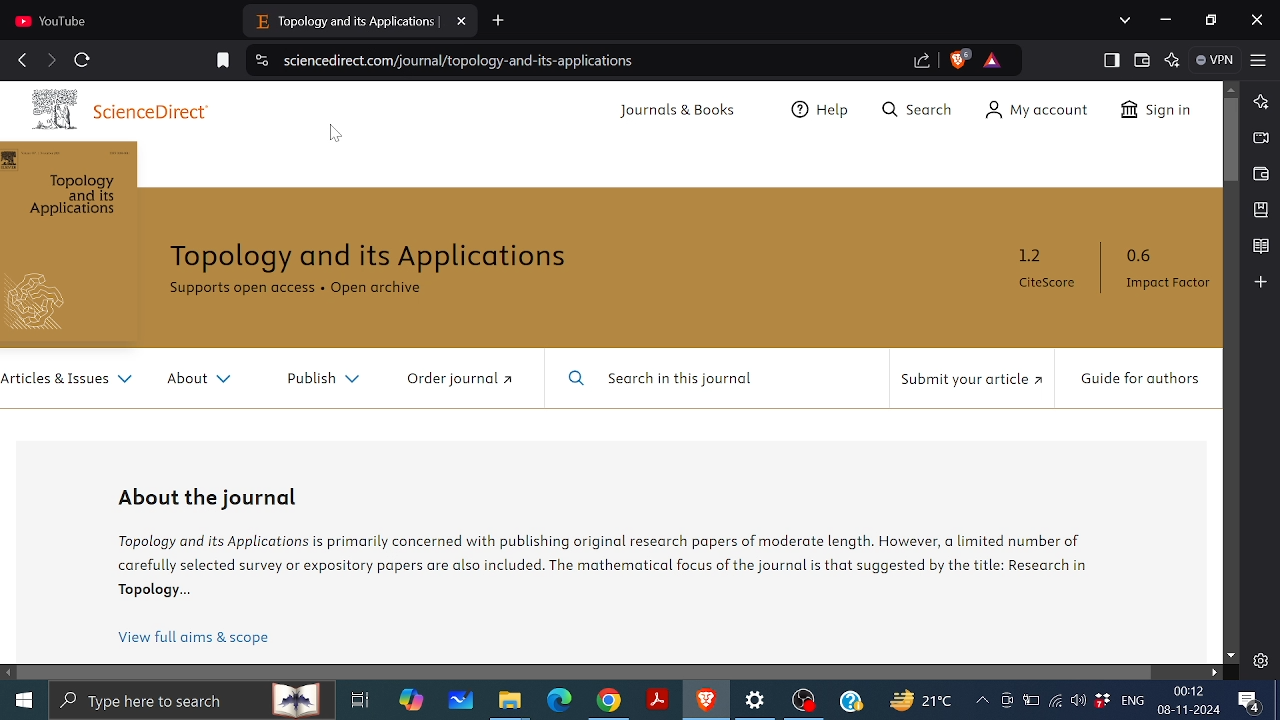  What do you see at coordinates (1191, 700) in the screenshot?
I see `Time and date` at bounding box center [1191, 700].